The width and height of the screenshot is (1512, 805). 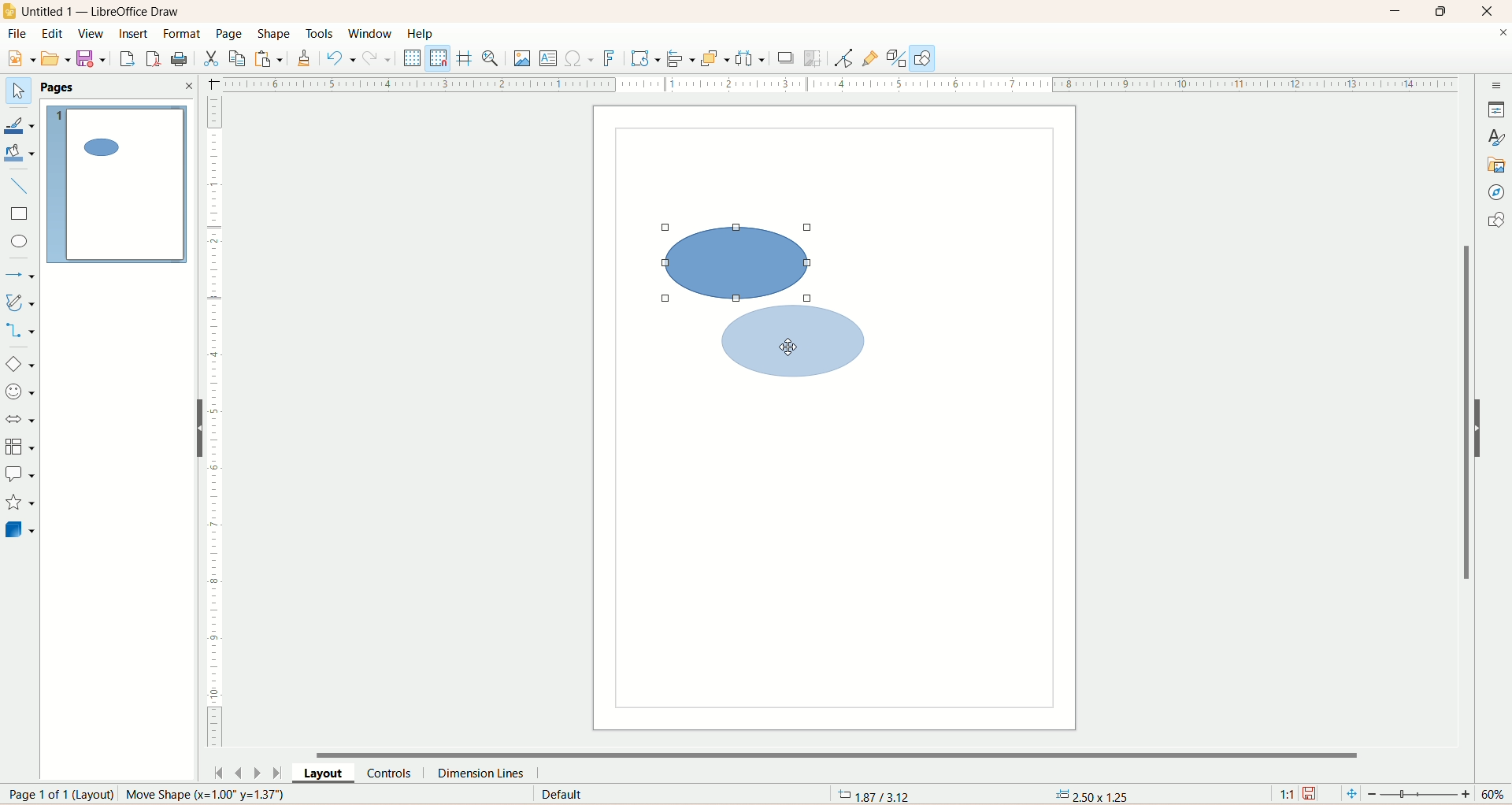 What do you see at coordinates (282, 773) in the screenshot?
I see `last page` at bounding box center [282, 773].